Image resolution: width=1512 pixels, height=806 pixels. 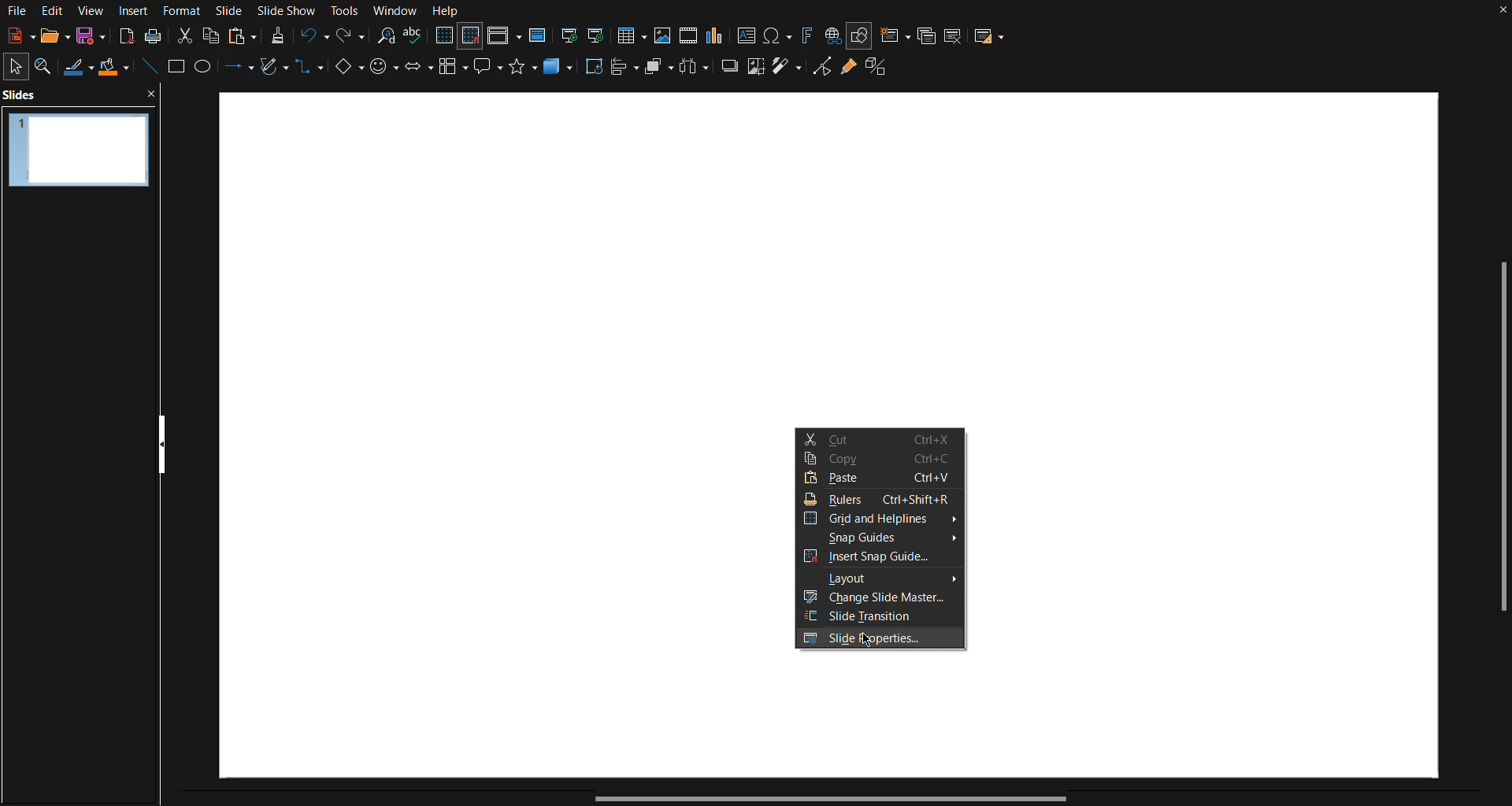 What do you see at coordinates (955, 34) in the screenshot?
I see `Delete Slide` at bounding box center [955, 34].